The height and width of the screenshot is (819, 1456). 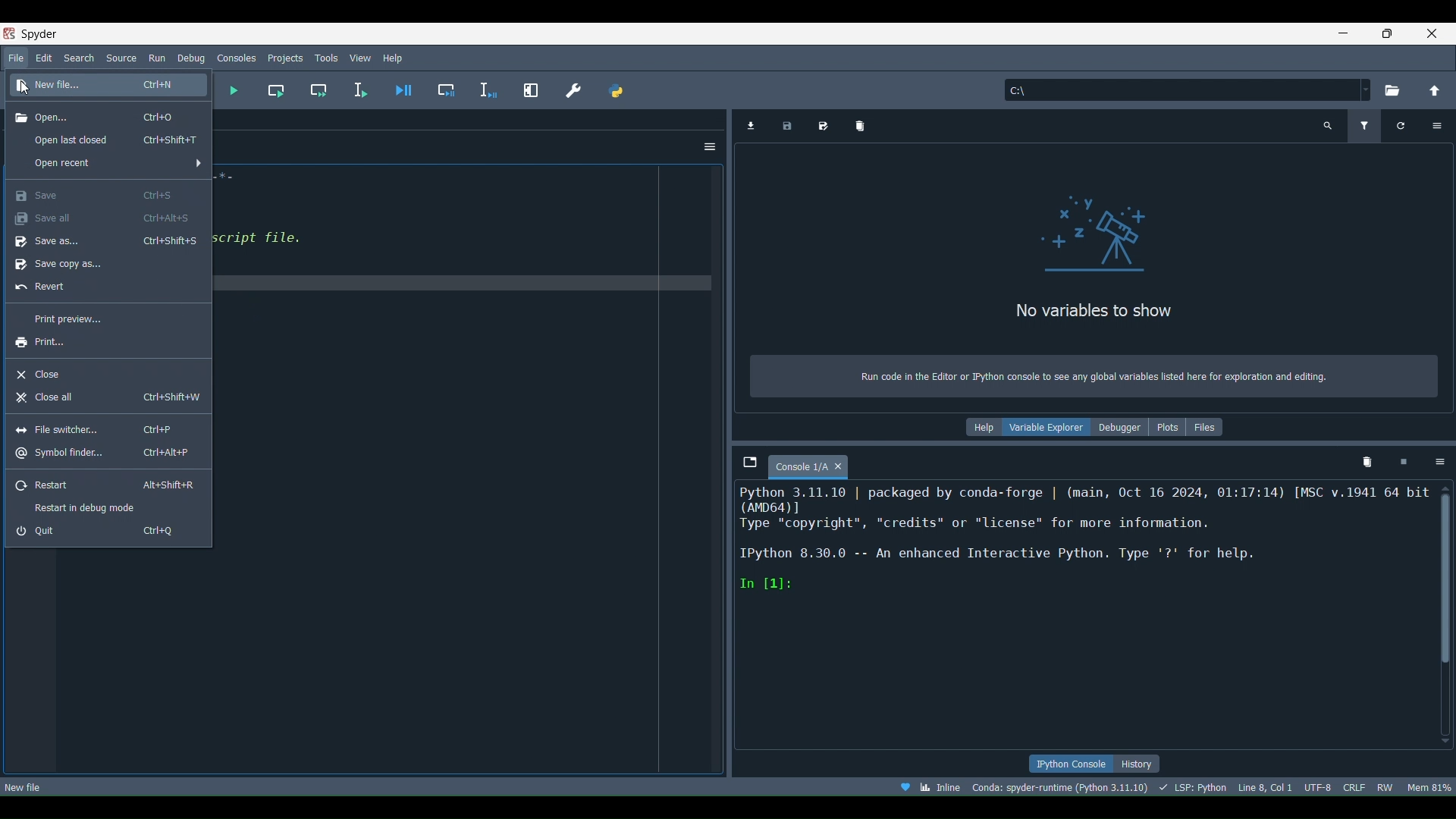 I want to click on Run selection or current line (F9), so click(x=353, y=89).